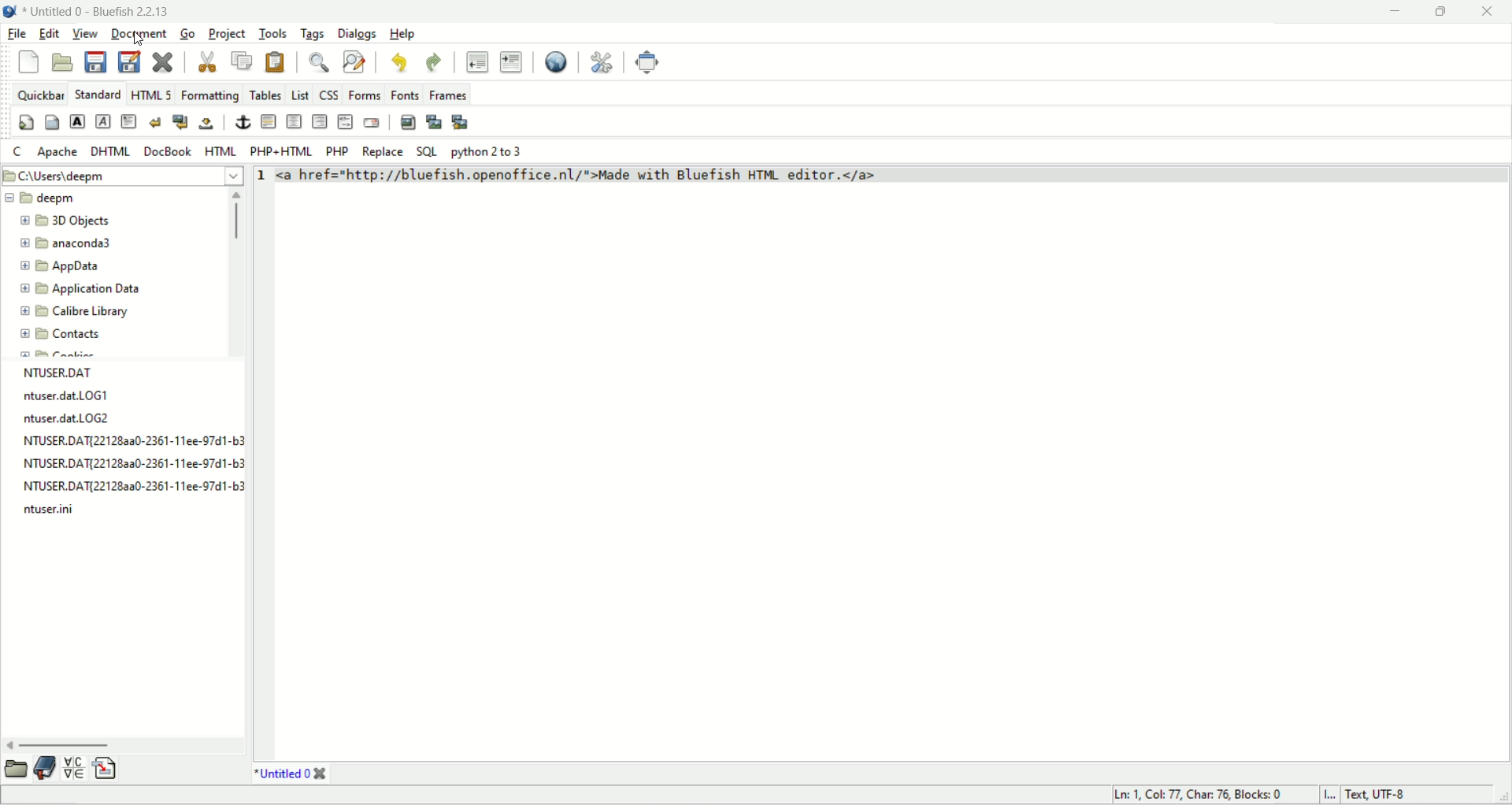 This screenshot has width=1512, height=805. Describe the element at coordinates (238, 61) in the screenshot. I see `copy` at that location.